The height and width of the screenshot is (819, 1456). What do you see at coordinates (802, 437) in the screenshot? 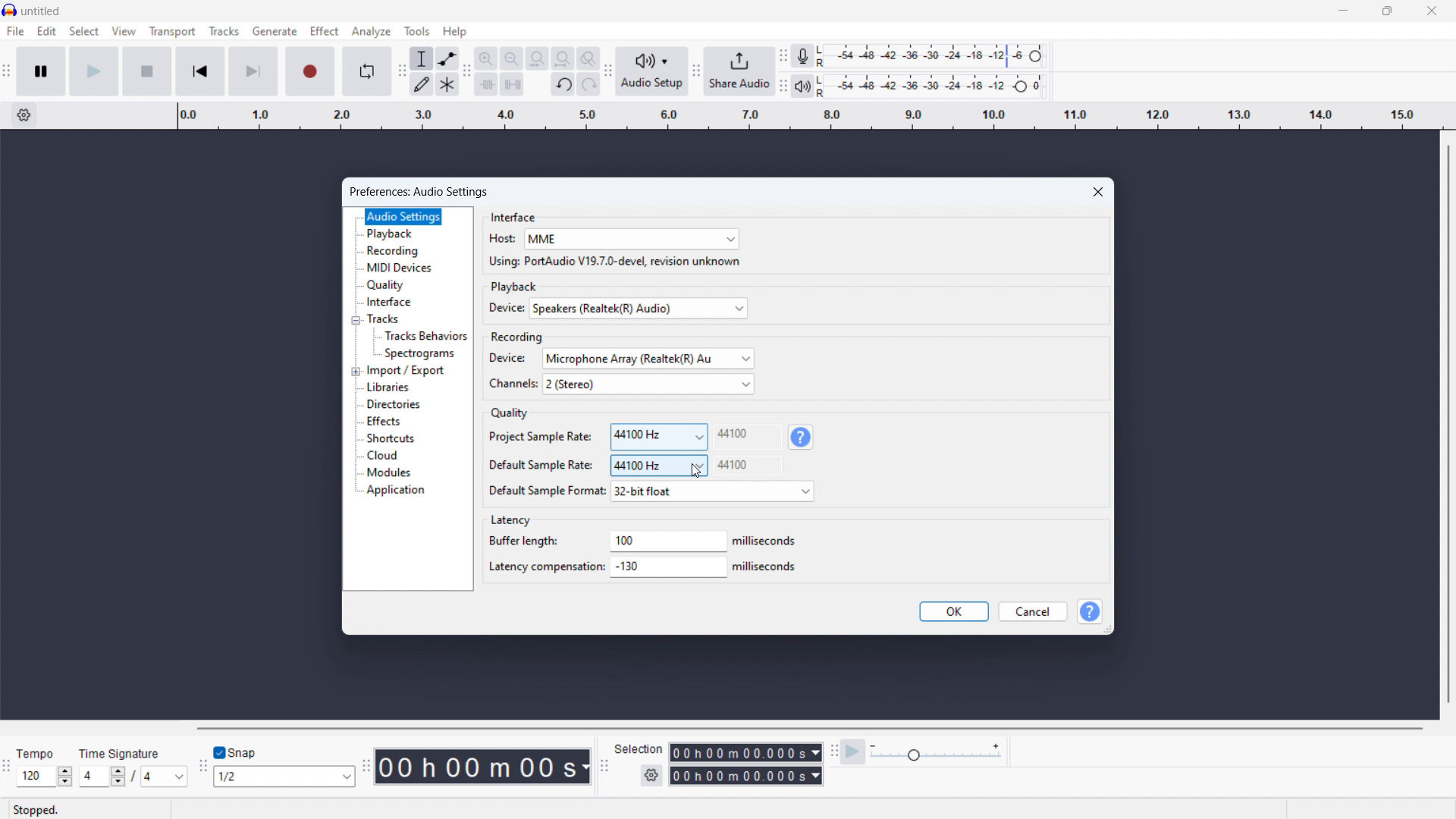
I see `help` at bounding box center [802, 437].